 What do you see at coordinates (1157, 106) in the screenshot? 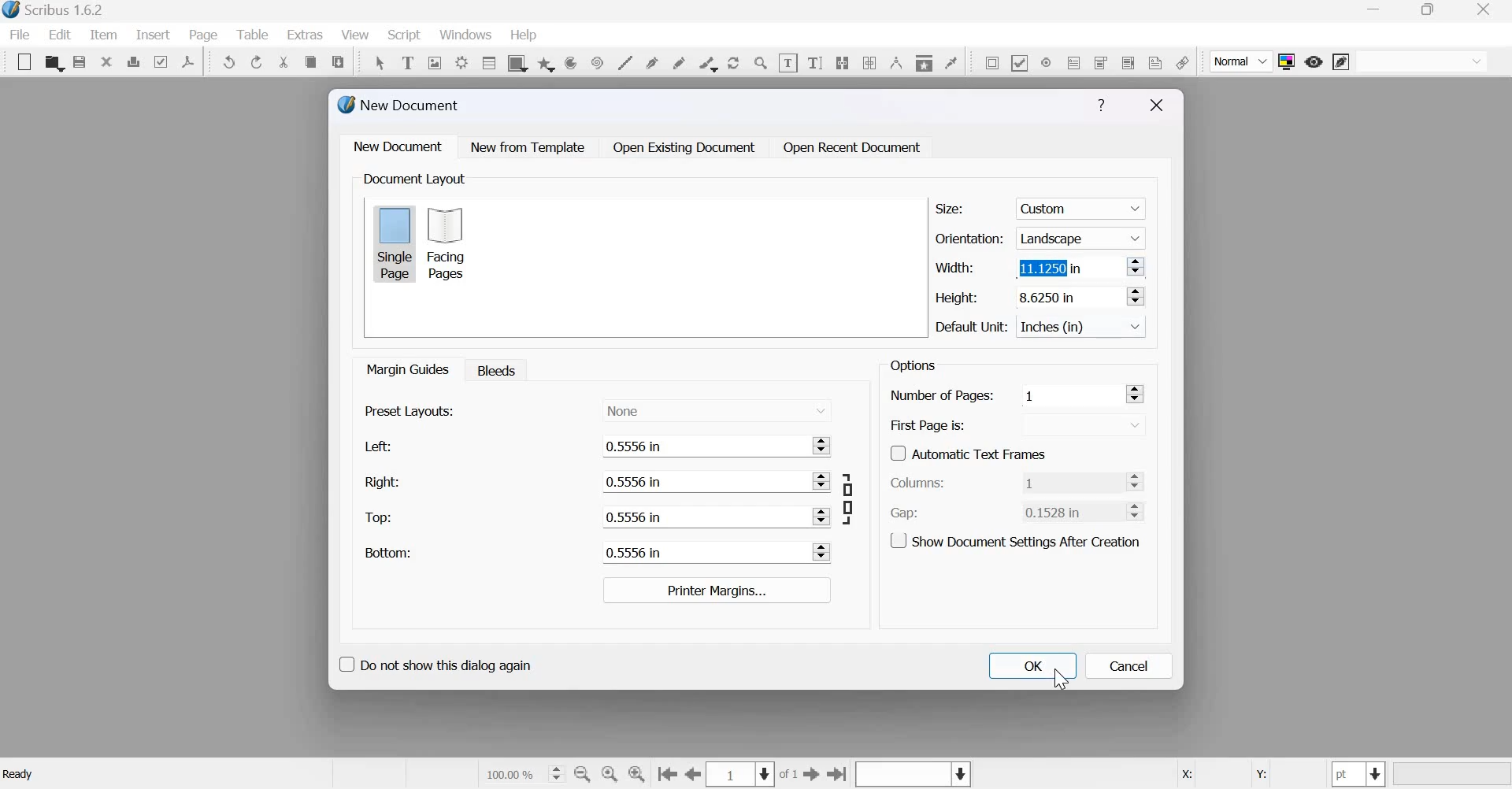
I see `Close` at bounding box center [1157, 106].